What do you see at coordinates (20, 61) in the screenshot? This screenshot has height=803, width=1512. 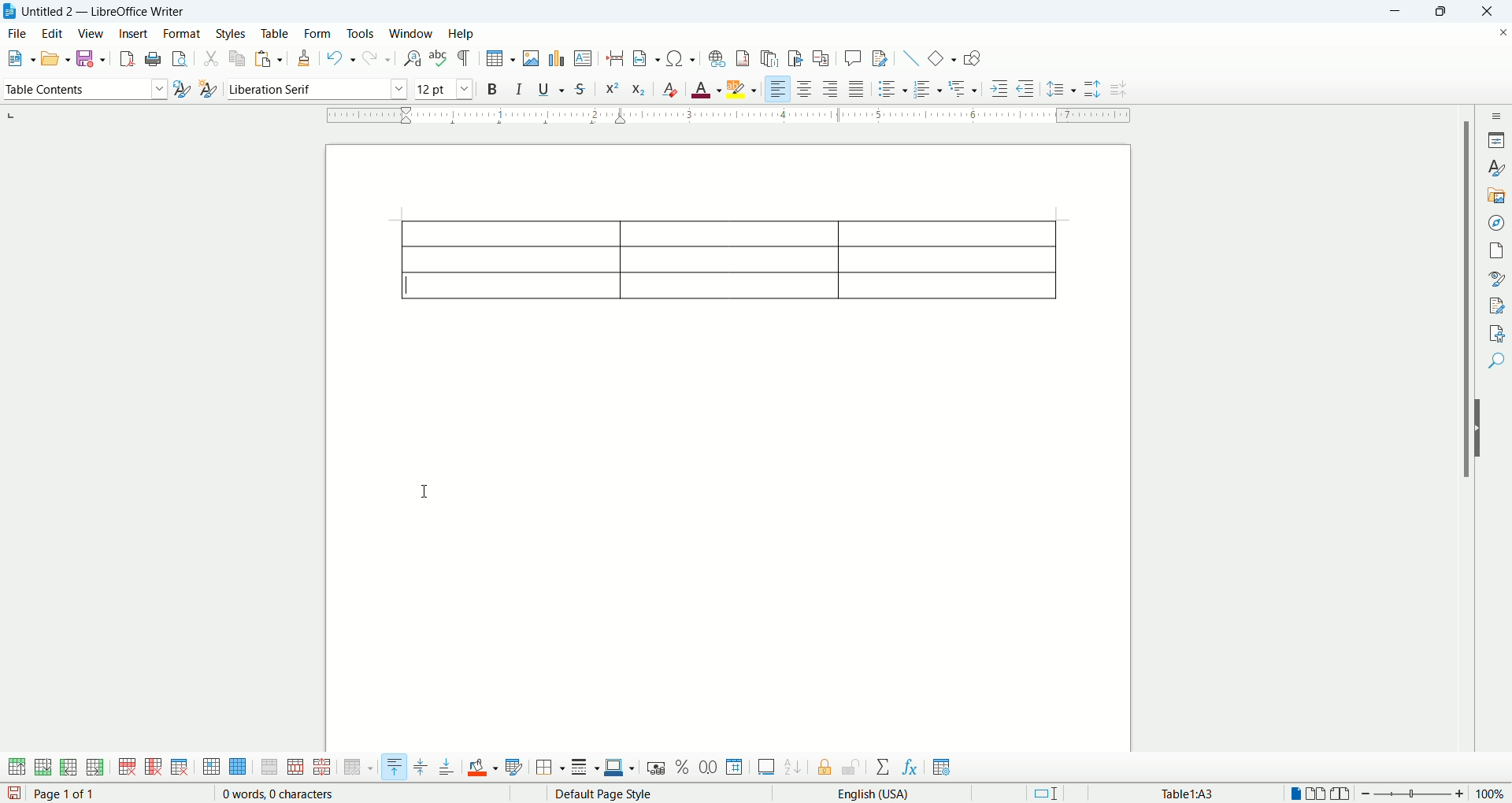 I see `new` at bounding box center [20, 61].